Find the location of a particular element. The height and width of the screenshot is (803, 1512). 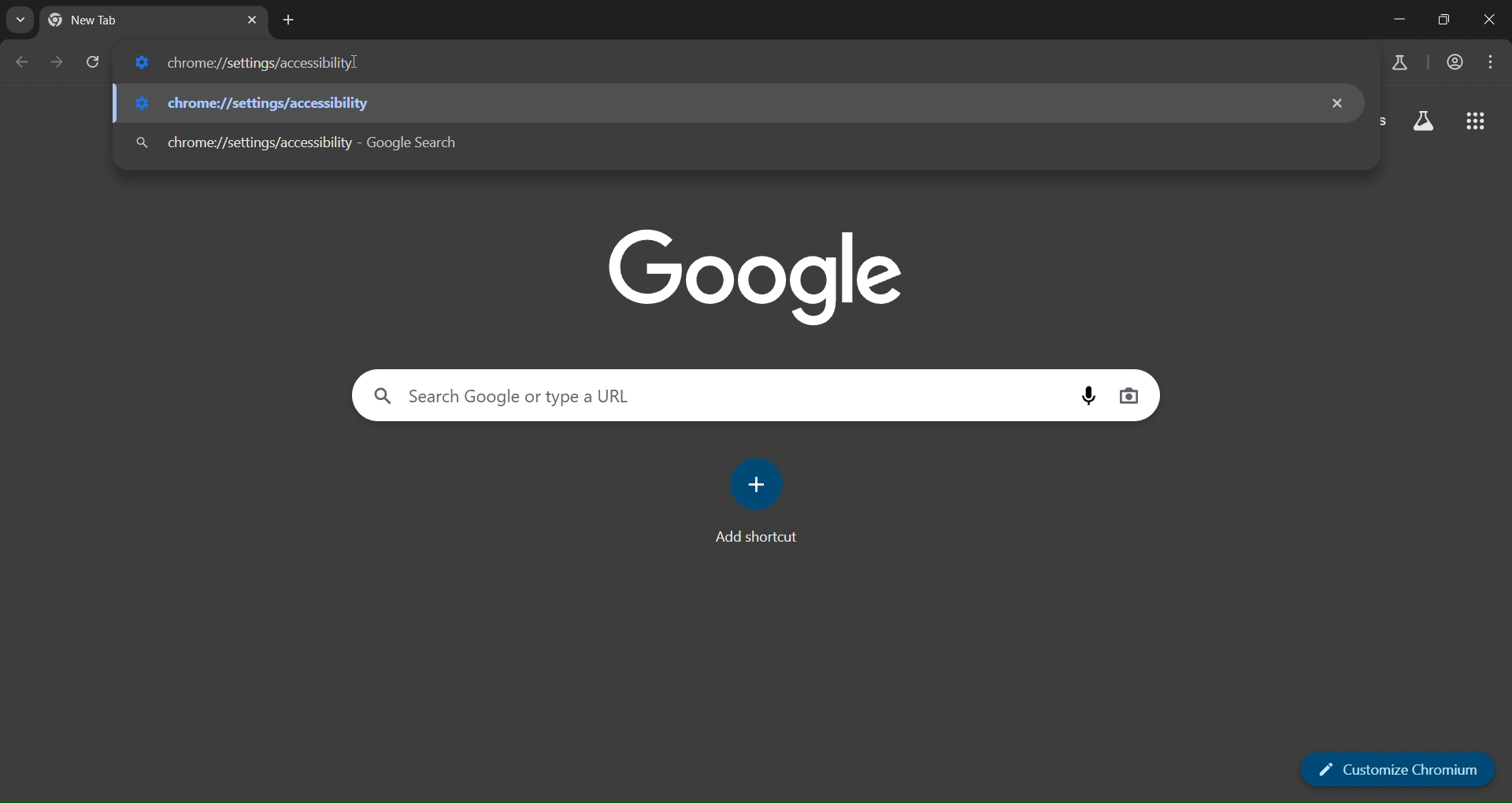

Search Google or type a URL is located at coordinates (501, 396).